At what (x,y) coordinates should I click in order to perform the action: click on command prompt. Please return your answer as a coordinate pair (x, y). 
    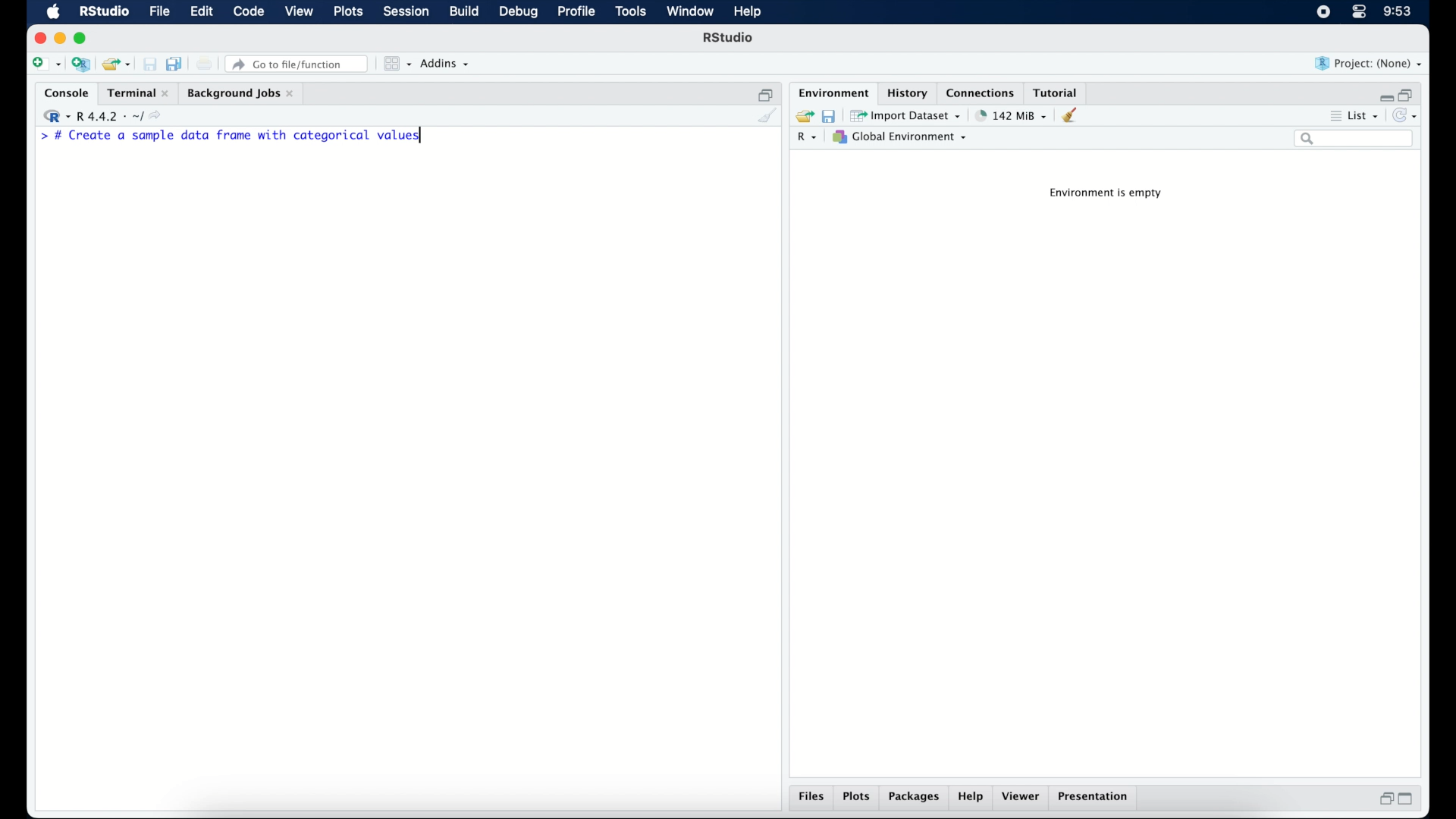
    Looking at the image, I should click on (40, 136).